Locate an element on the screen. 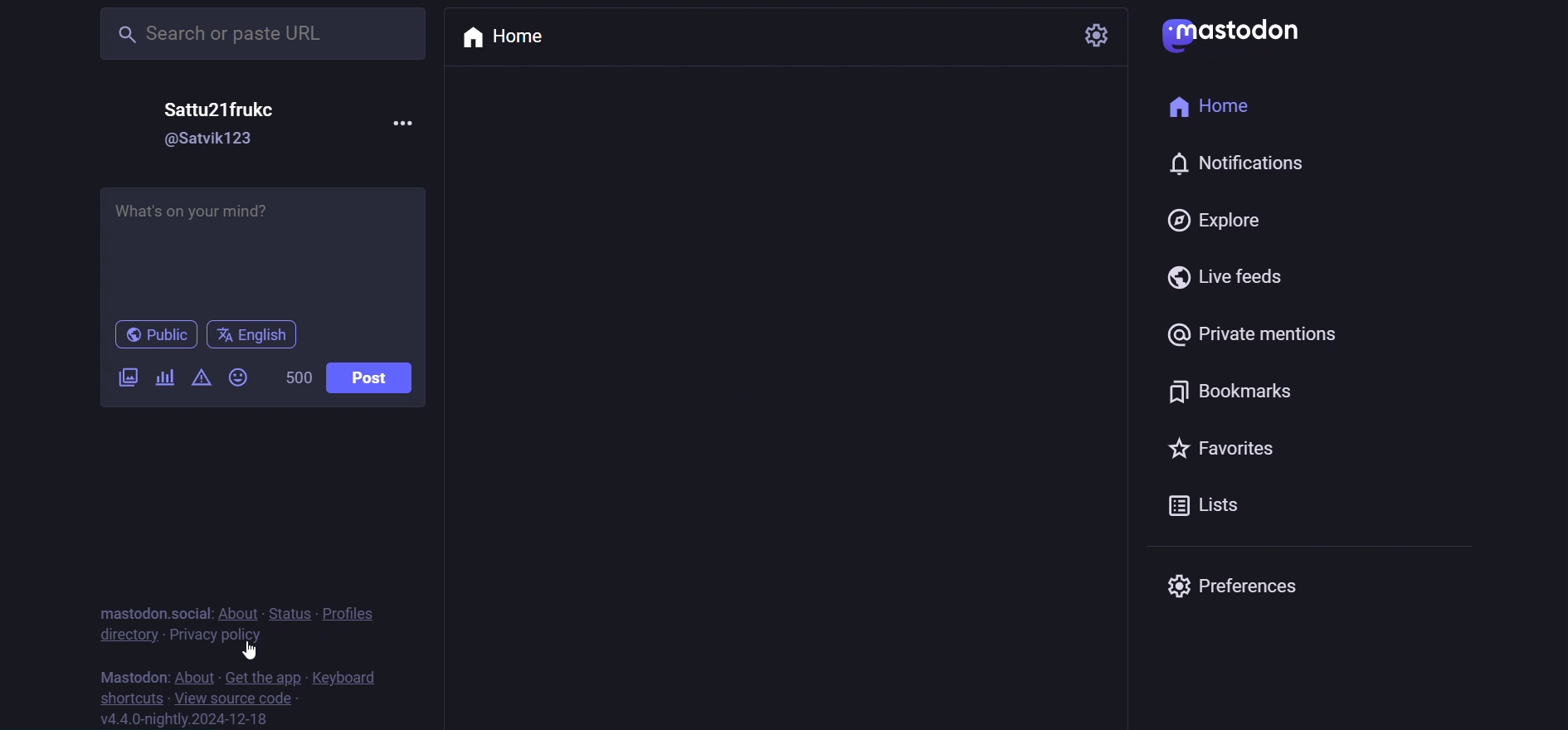 This screenshot has height=730, width=1568. get the app is located at coordinates (262, 679).